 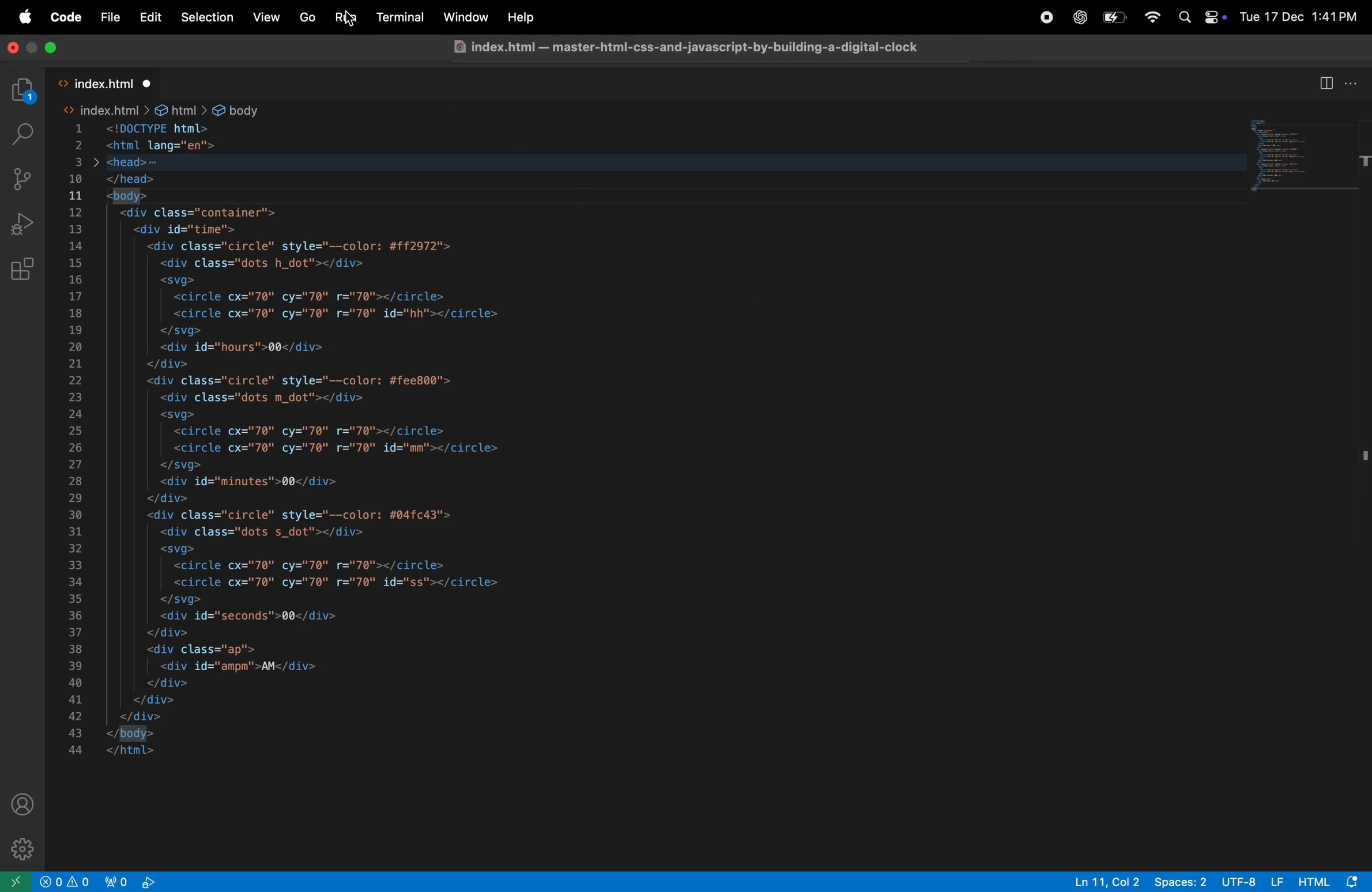 What do you see at coordinates (1114, 20) in the screenshot?
I see `battery` at bounding box center [1114, 20].